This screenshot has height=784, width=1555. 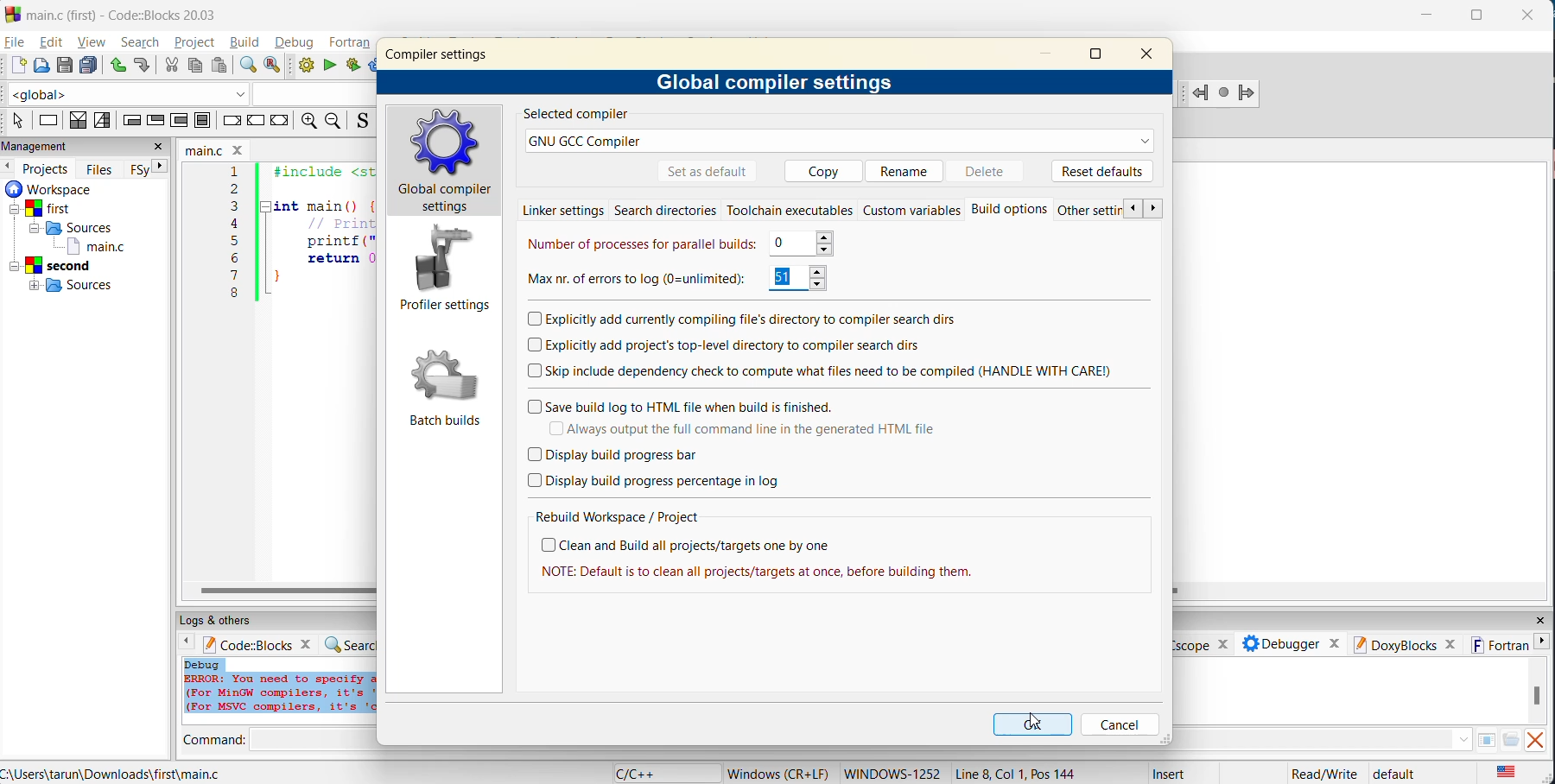 I want to click on rebuild workspace/project, so click(x=615, y=516).